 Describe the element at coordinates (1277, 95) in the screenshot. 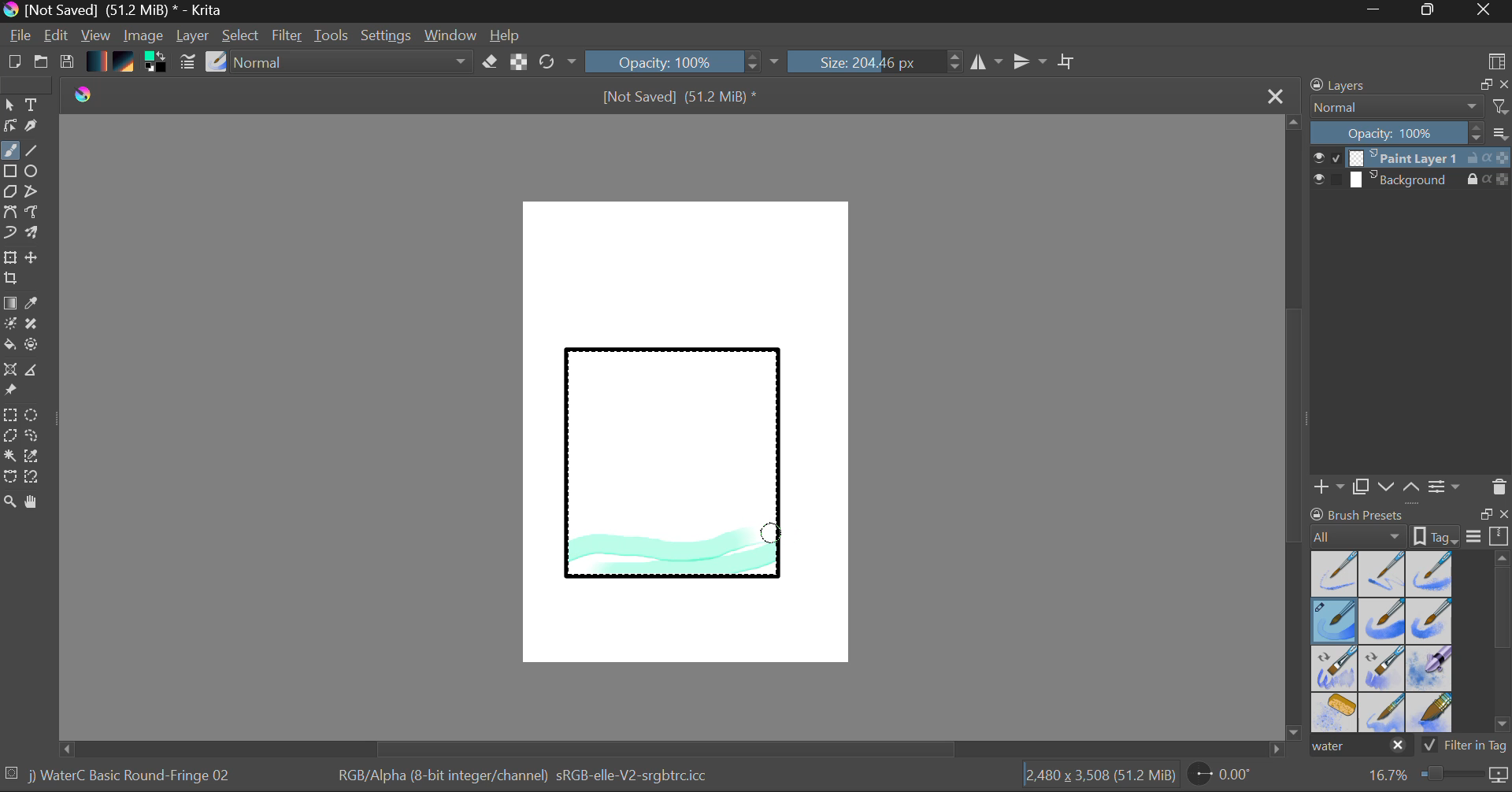

I see `Close` at that location.